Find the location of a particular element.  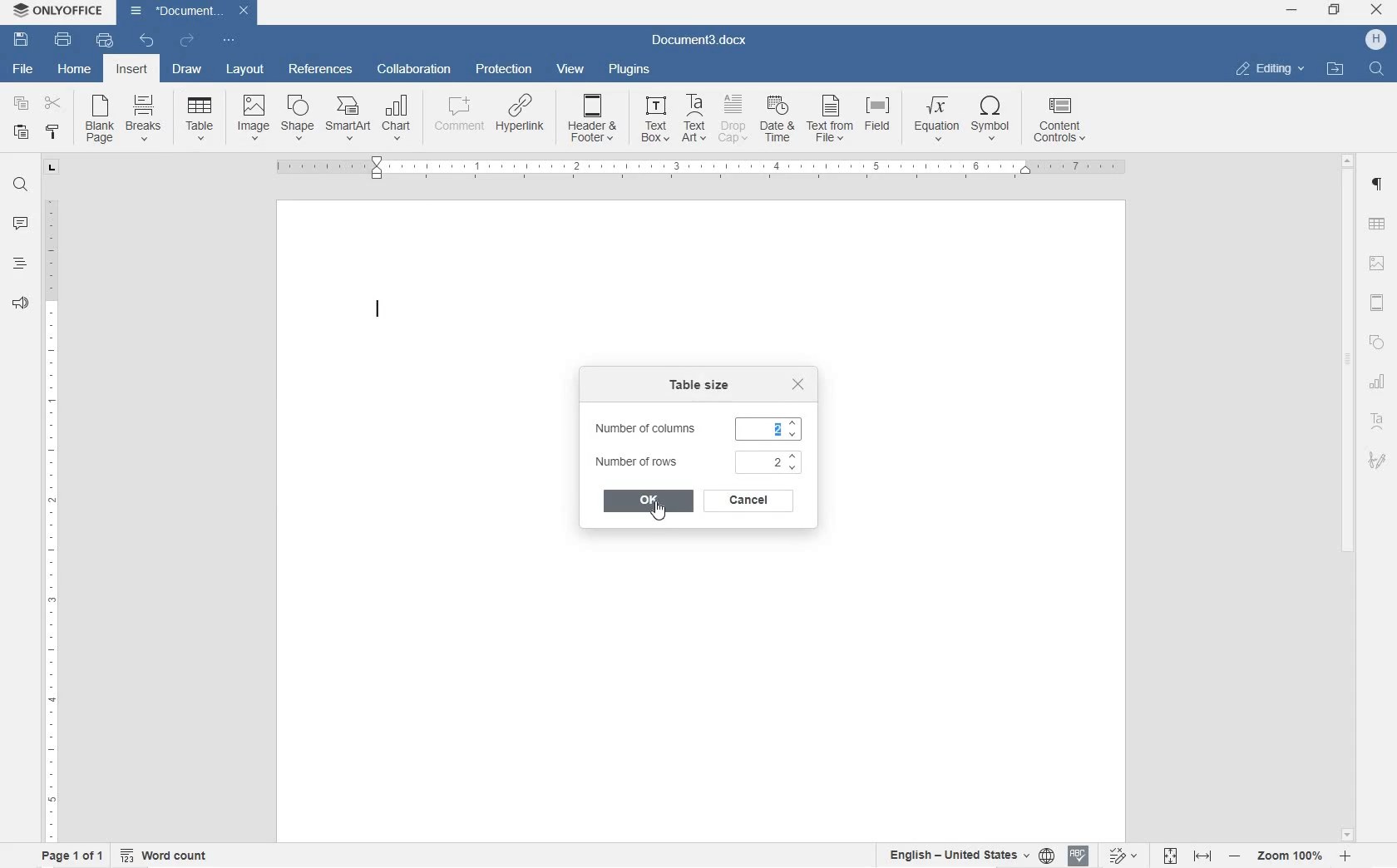

TABLE is located at coordinates (1376, 225).